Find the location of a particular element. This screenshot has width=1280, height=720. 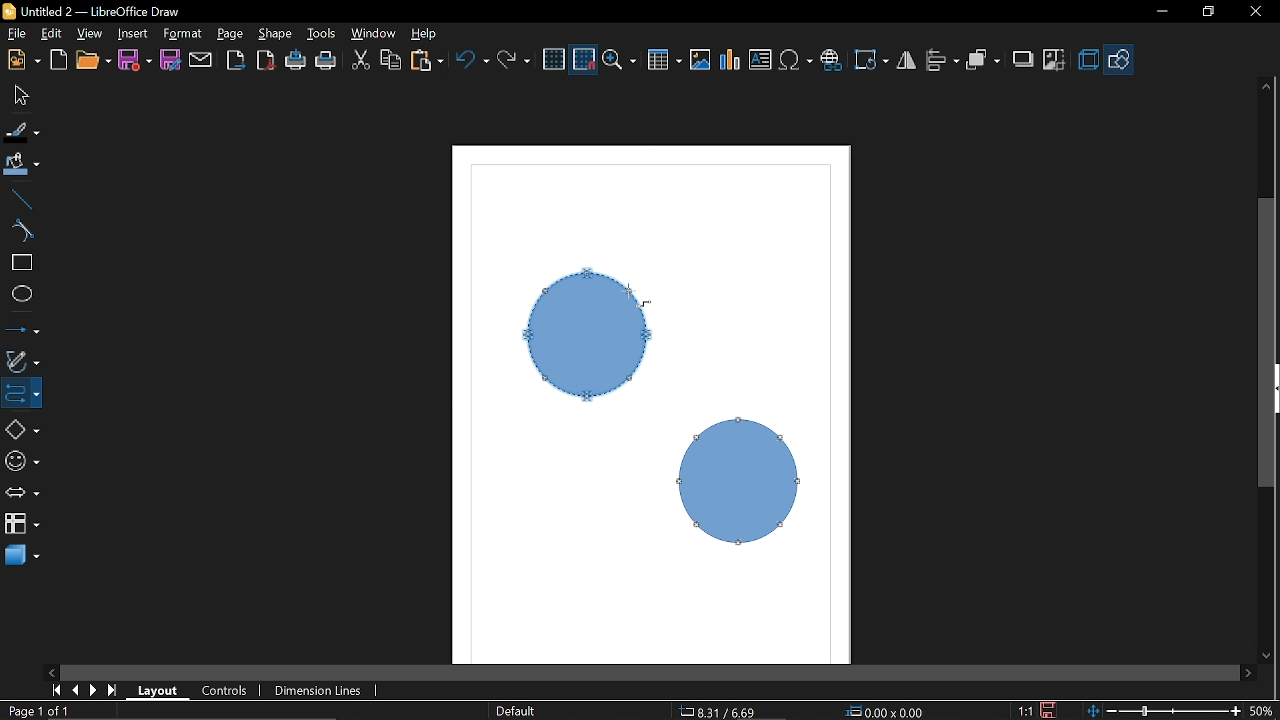

Crop is located at coordinates (1052, 60).